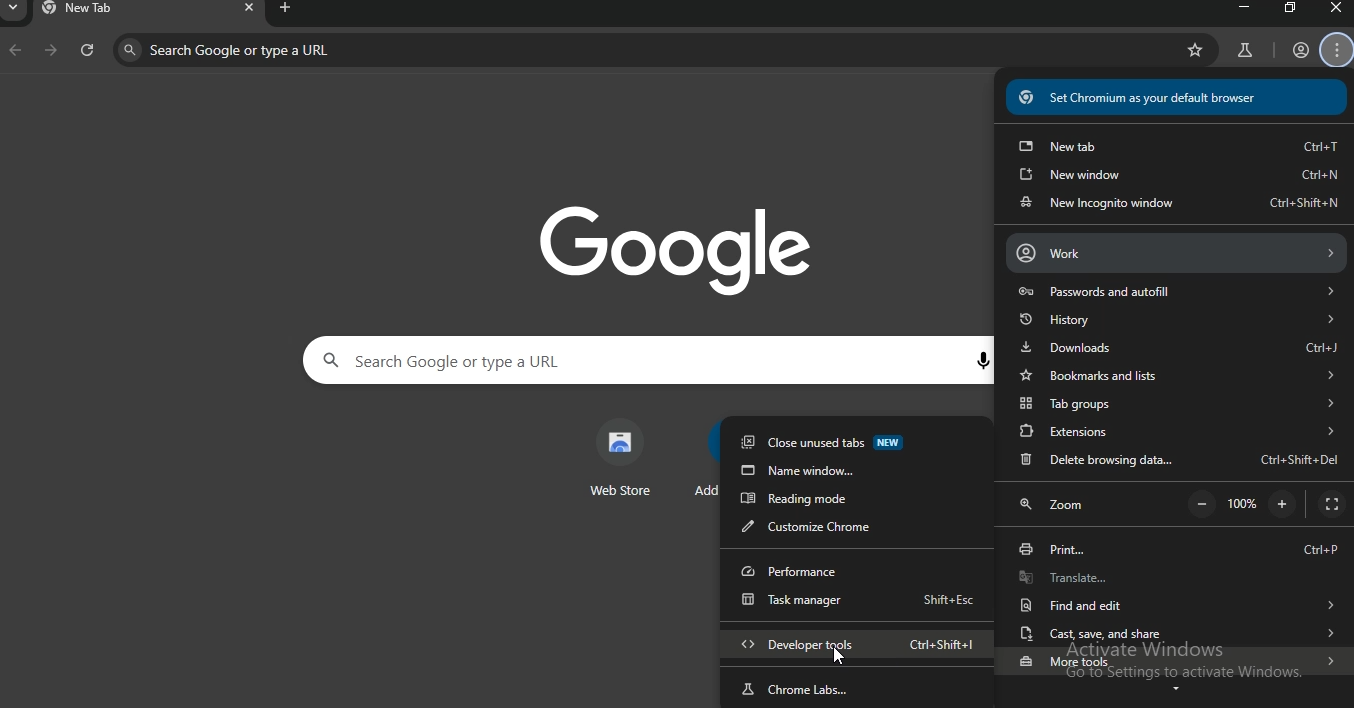 This screenshot has height=708, width=1354. I want to click on cursor, so click(836, 657).